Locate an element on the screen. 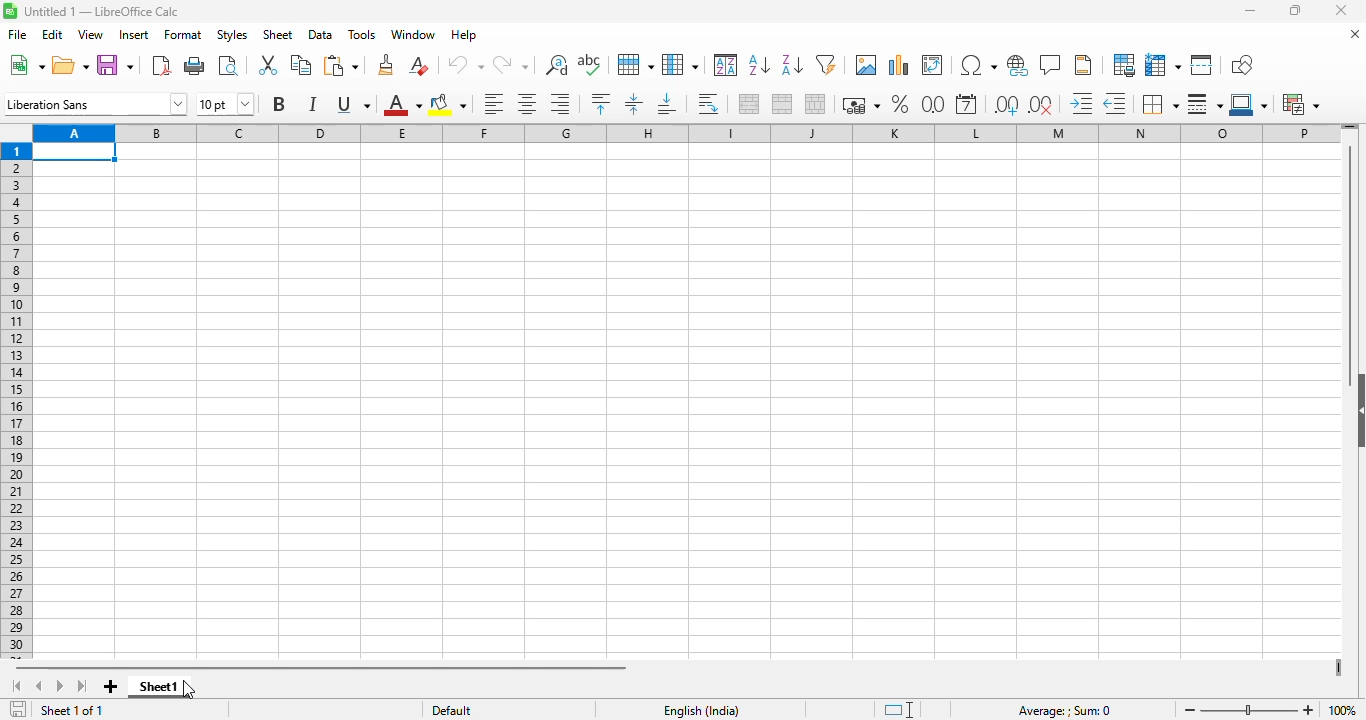  print is located at coordinates (195, 66).